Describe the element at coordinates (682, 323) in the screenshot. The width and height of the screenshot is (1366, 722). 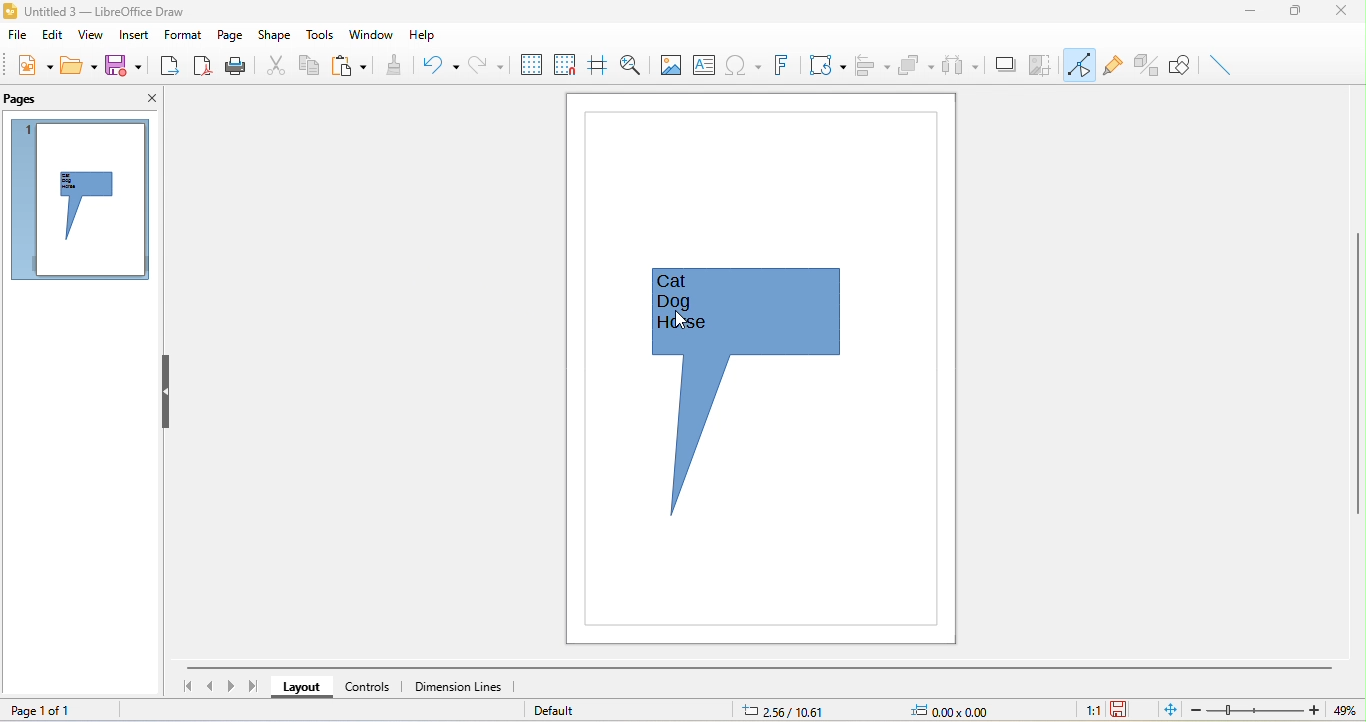
I see `cursor ` at that location.